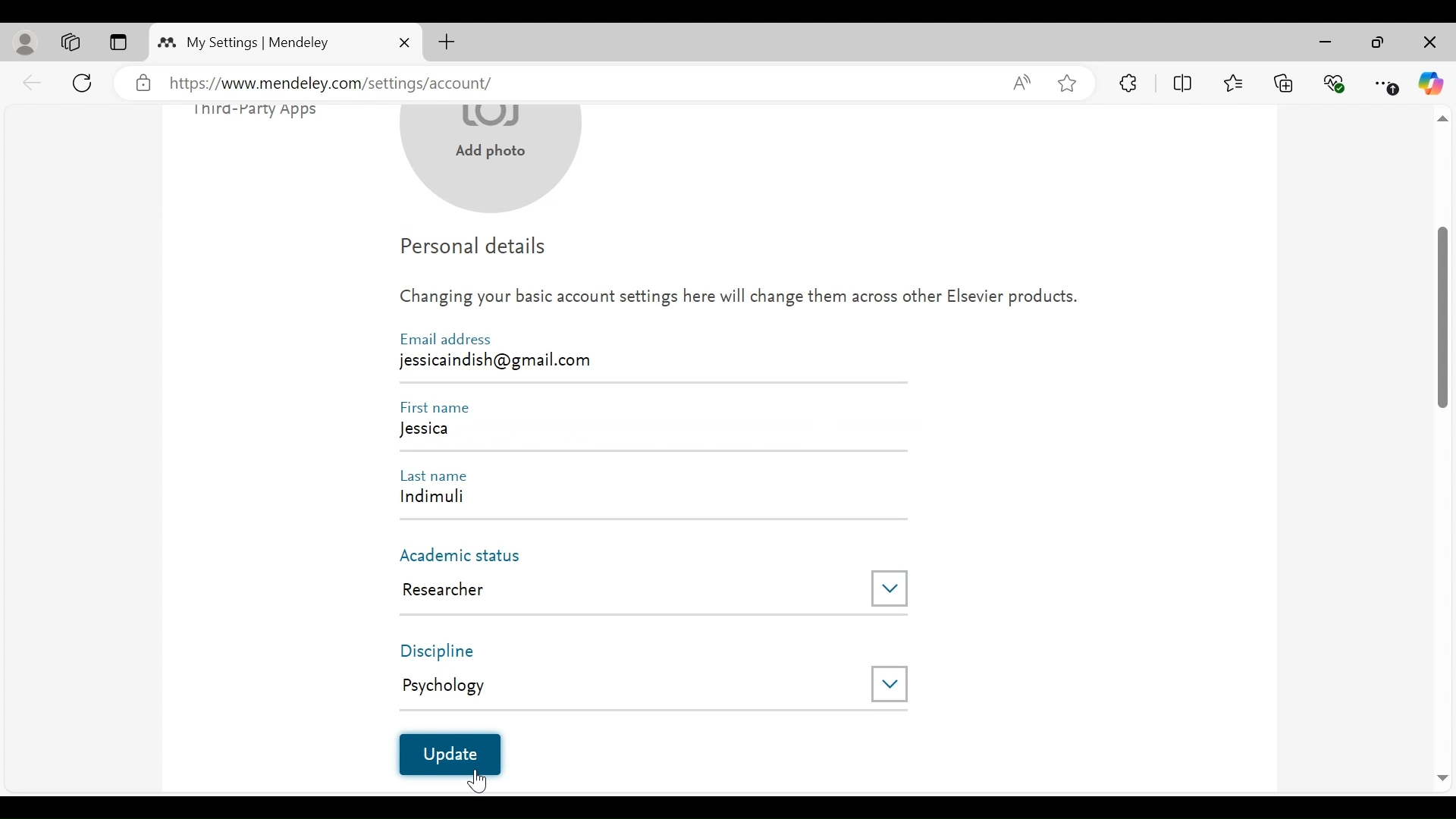 This screenshot has width=1456, height=819. Describe the element at coordinates (578, 84) in the screenshot. I see `https://www.mendeley.com/settings/account/` at that location.